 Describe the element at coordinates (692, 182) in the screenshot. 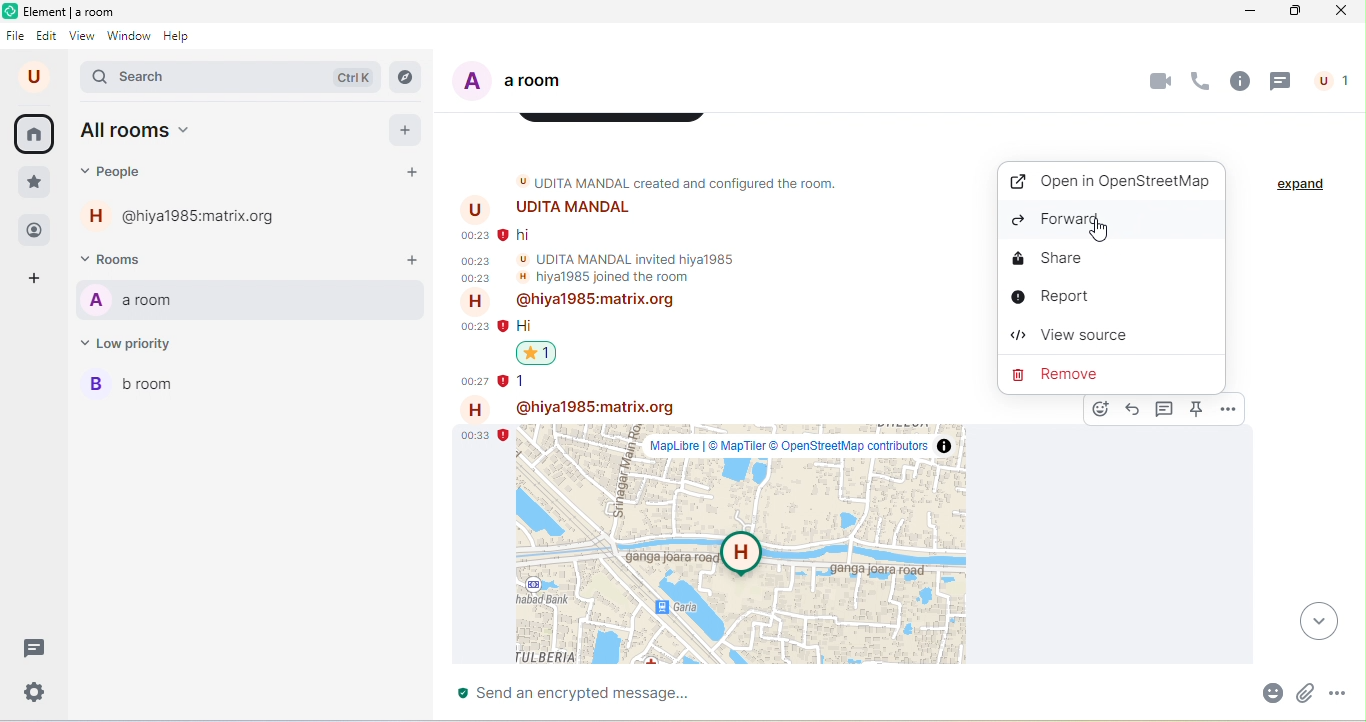

I see `Udita Mandal created and configured the room` at that location.